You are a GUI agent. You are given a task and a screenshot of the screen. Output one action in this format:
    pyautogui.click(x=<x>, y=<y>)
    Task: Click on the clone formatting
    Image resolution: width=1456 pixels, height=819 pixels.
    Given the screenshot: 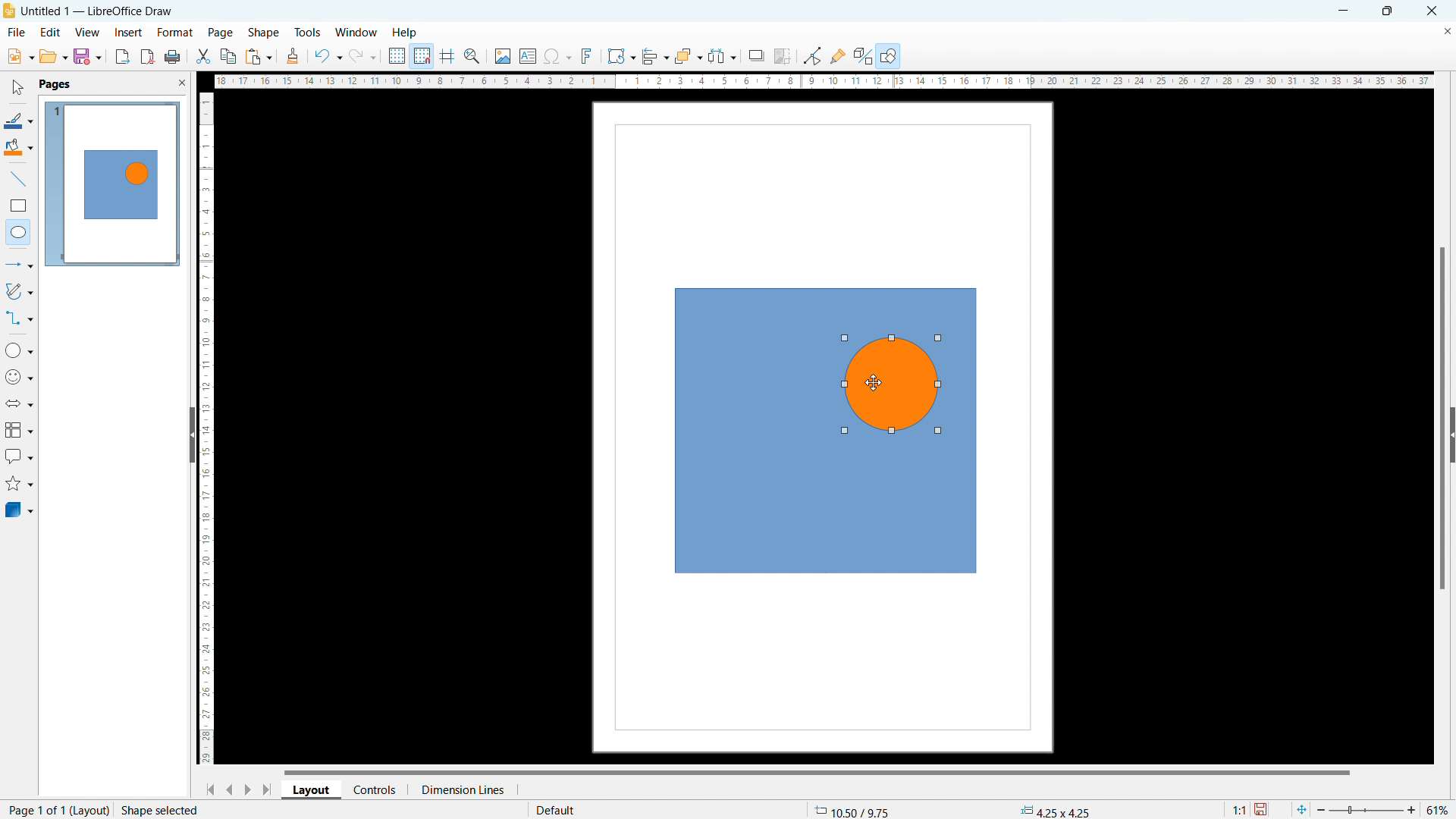 What is the action you would take?
    pyautogui.click(x=293, y=57)
    